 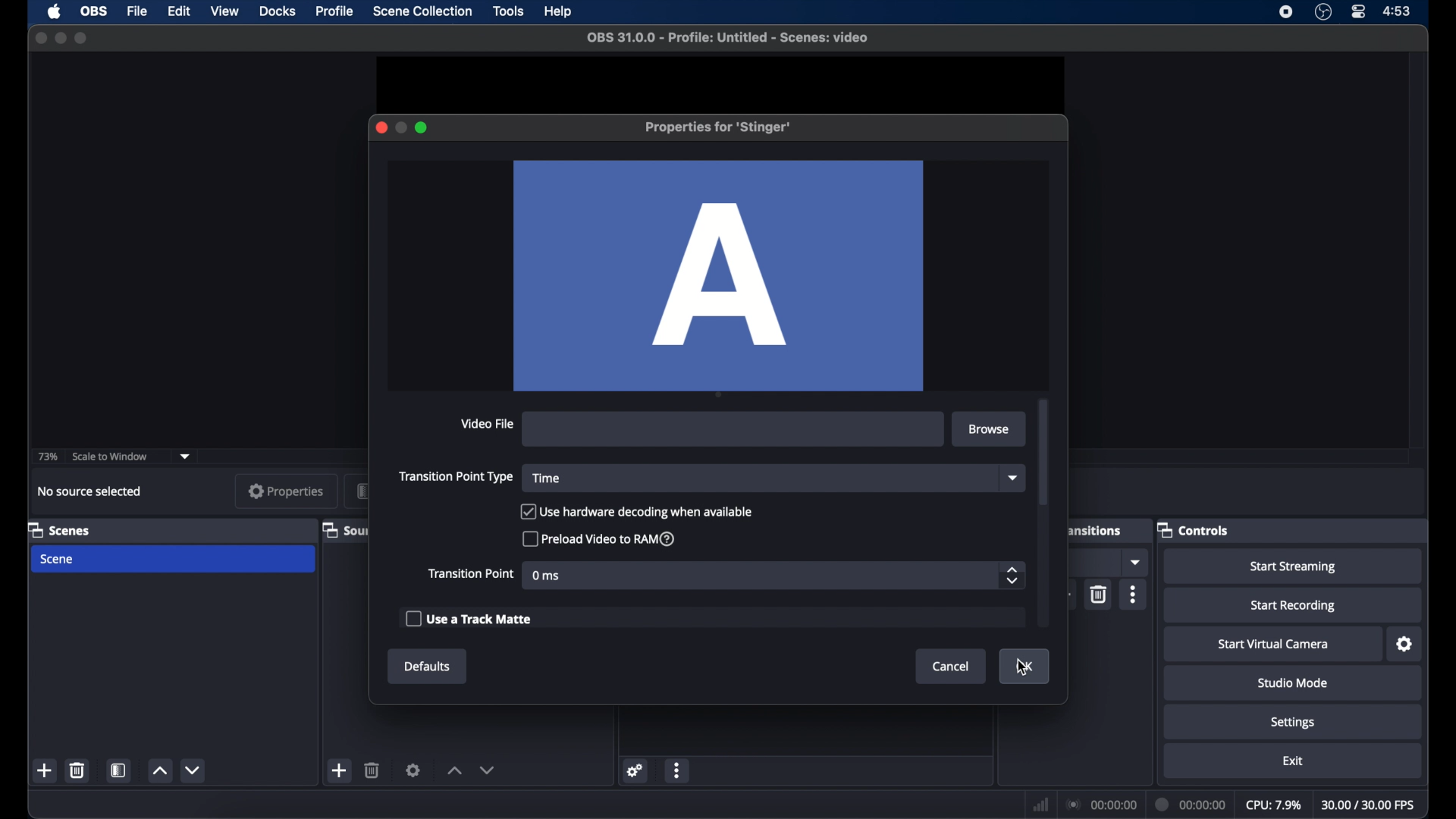 I want to click on settings, so click(x=413, y=770).